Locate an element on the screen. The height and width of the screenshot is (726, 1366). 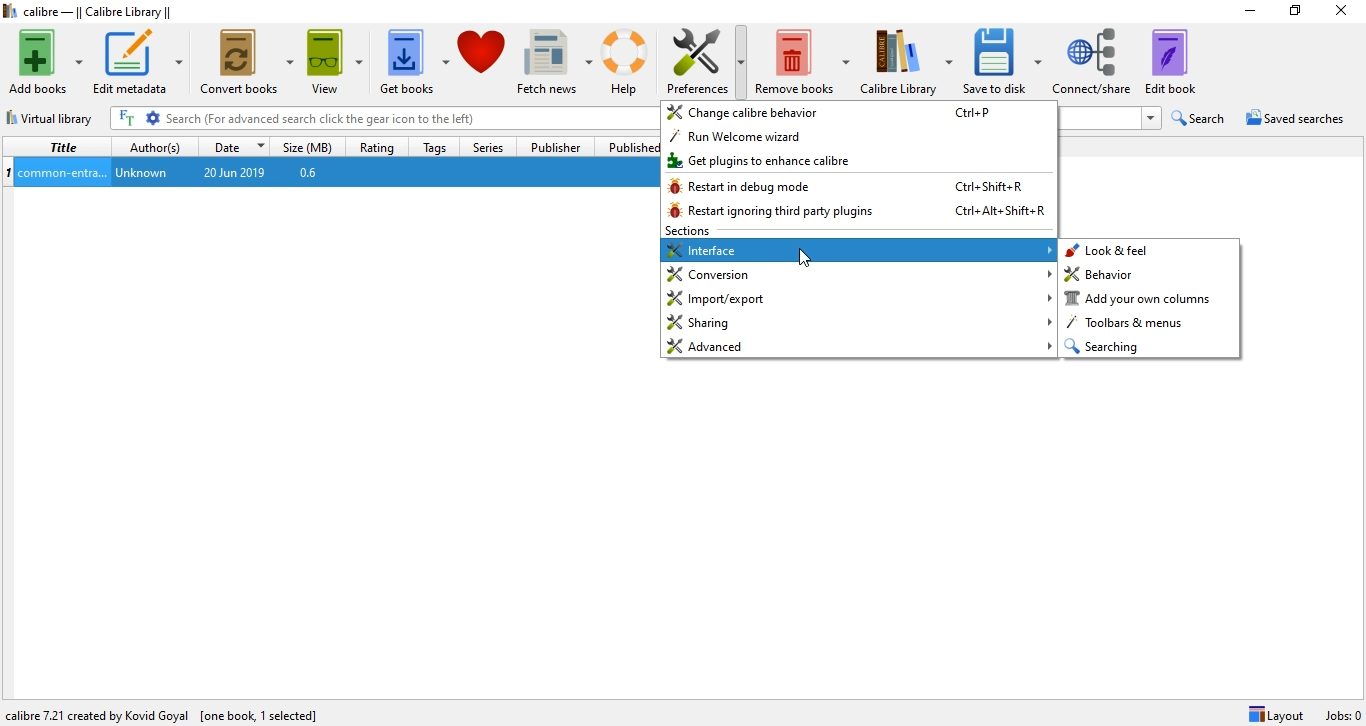
change calibre behavior is located at coordinates (860, 114).